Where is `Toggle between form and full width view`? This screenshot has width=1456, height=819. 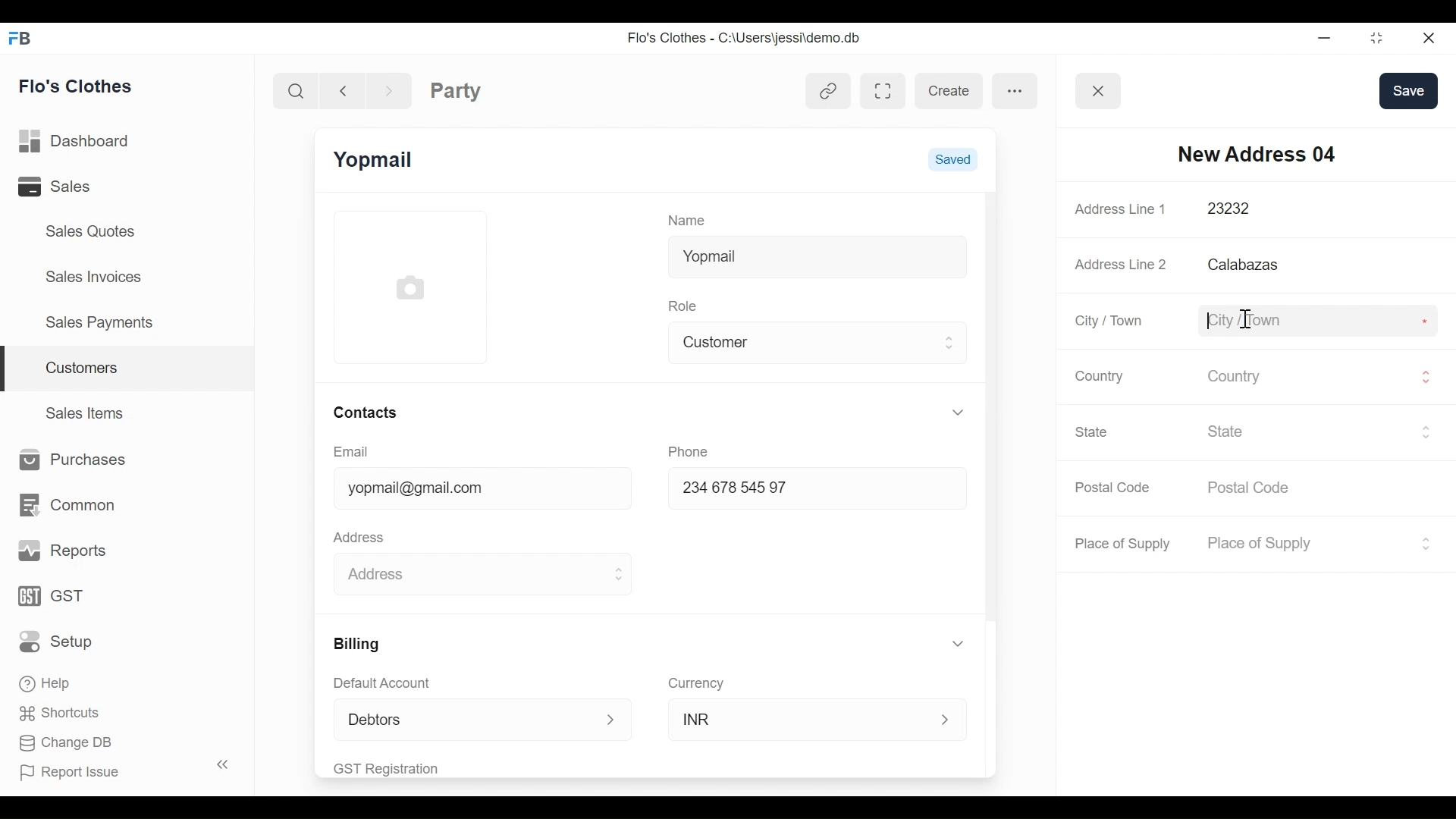
Toggle between form and full width view is located at coordinates (883, 91).